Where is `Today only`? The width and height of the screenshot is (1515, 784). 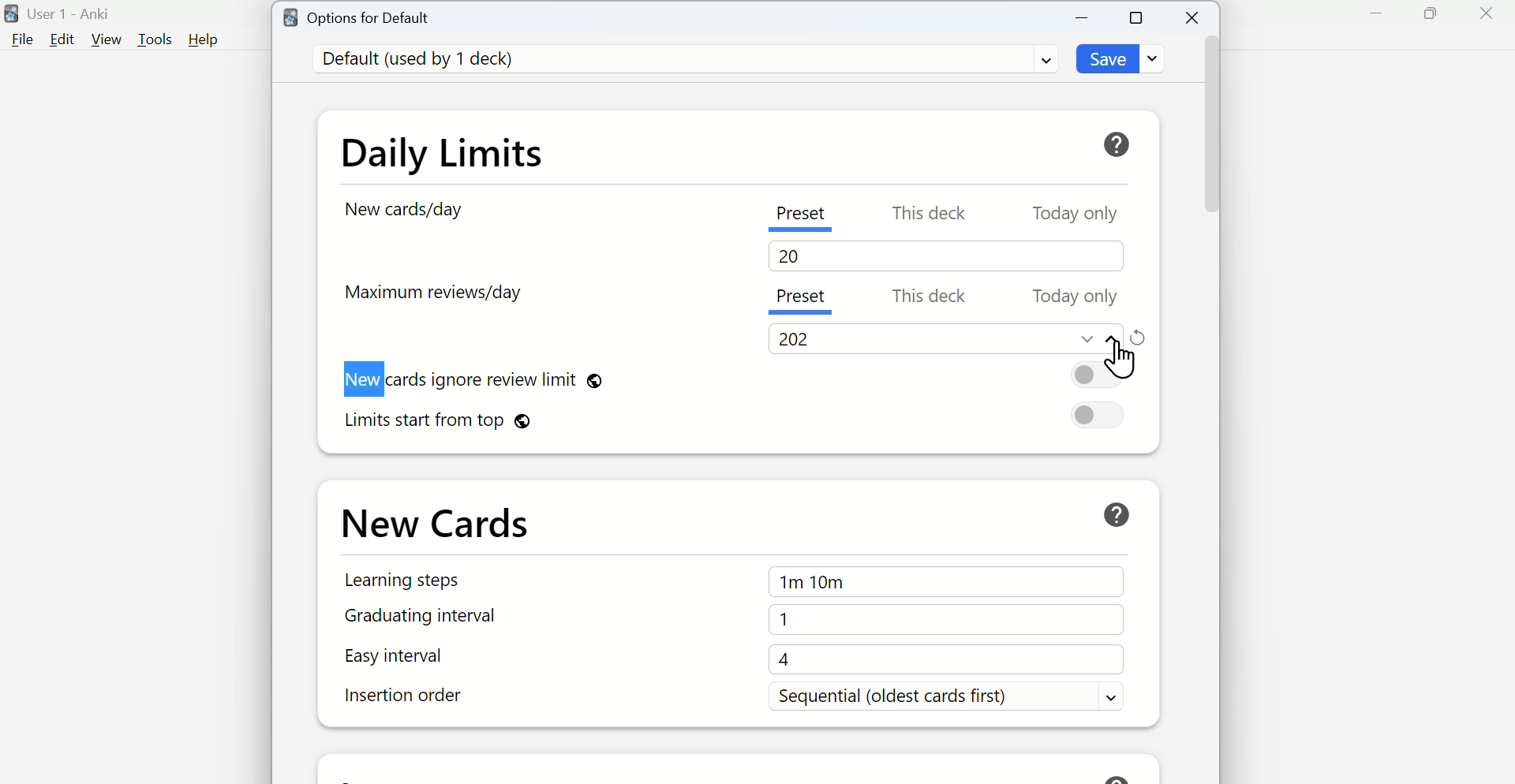 Today only is located at coordinates (1077, 297).